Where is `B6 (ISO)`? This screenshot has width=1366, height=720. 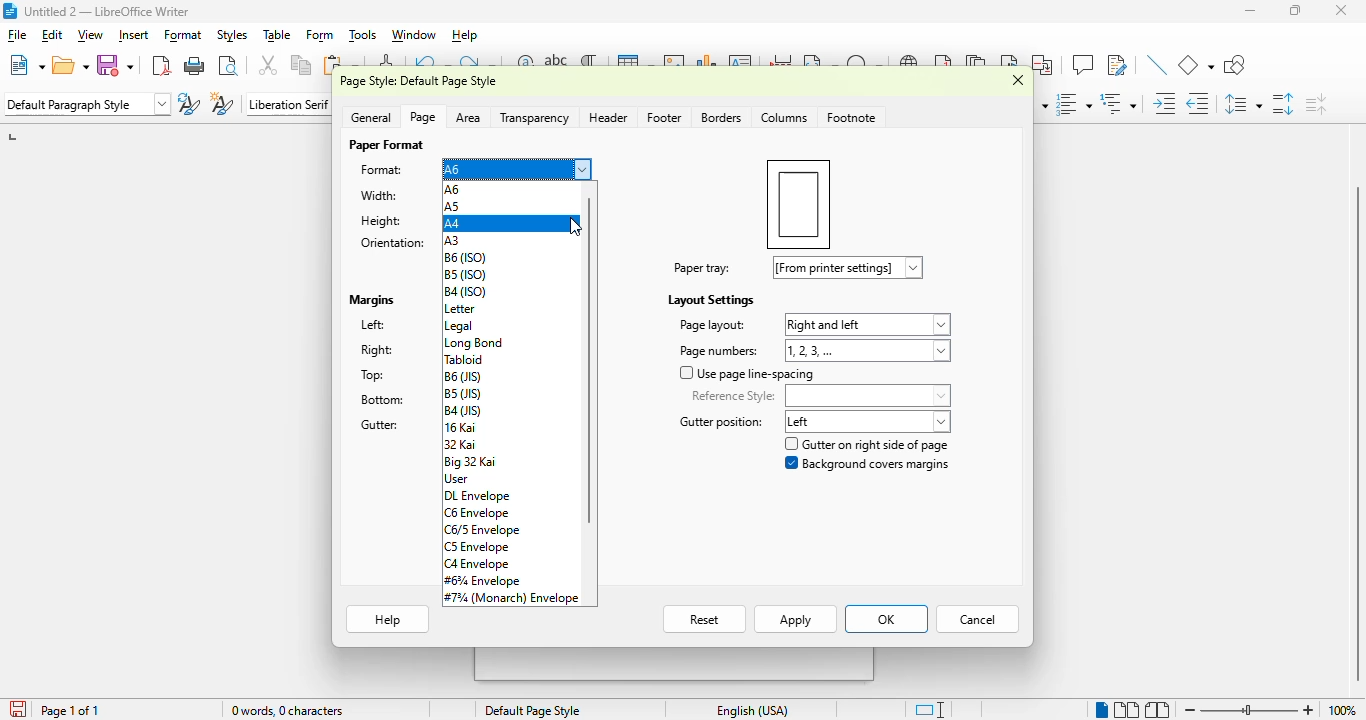 B6 (ISO) is located at coordinates (466, 257).